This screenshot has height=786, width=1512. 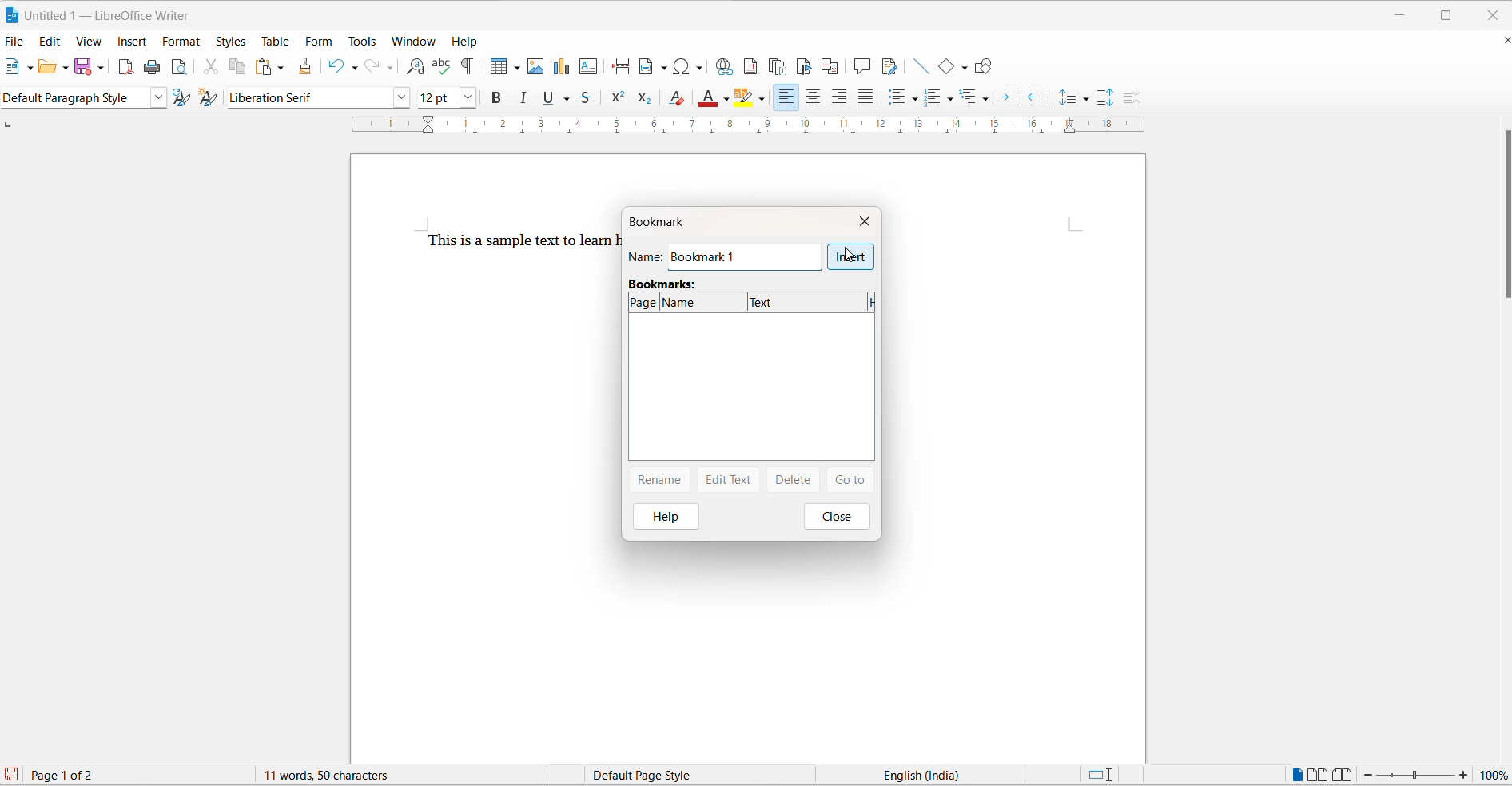 What do you see at coordinates (665, 284) in the screenshot?
I see `bookmarks heading` at bounding box center [665, 284].